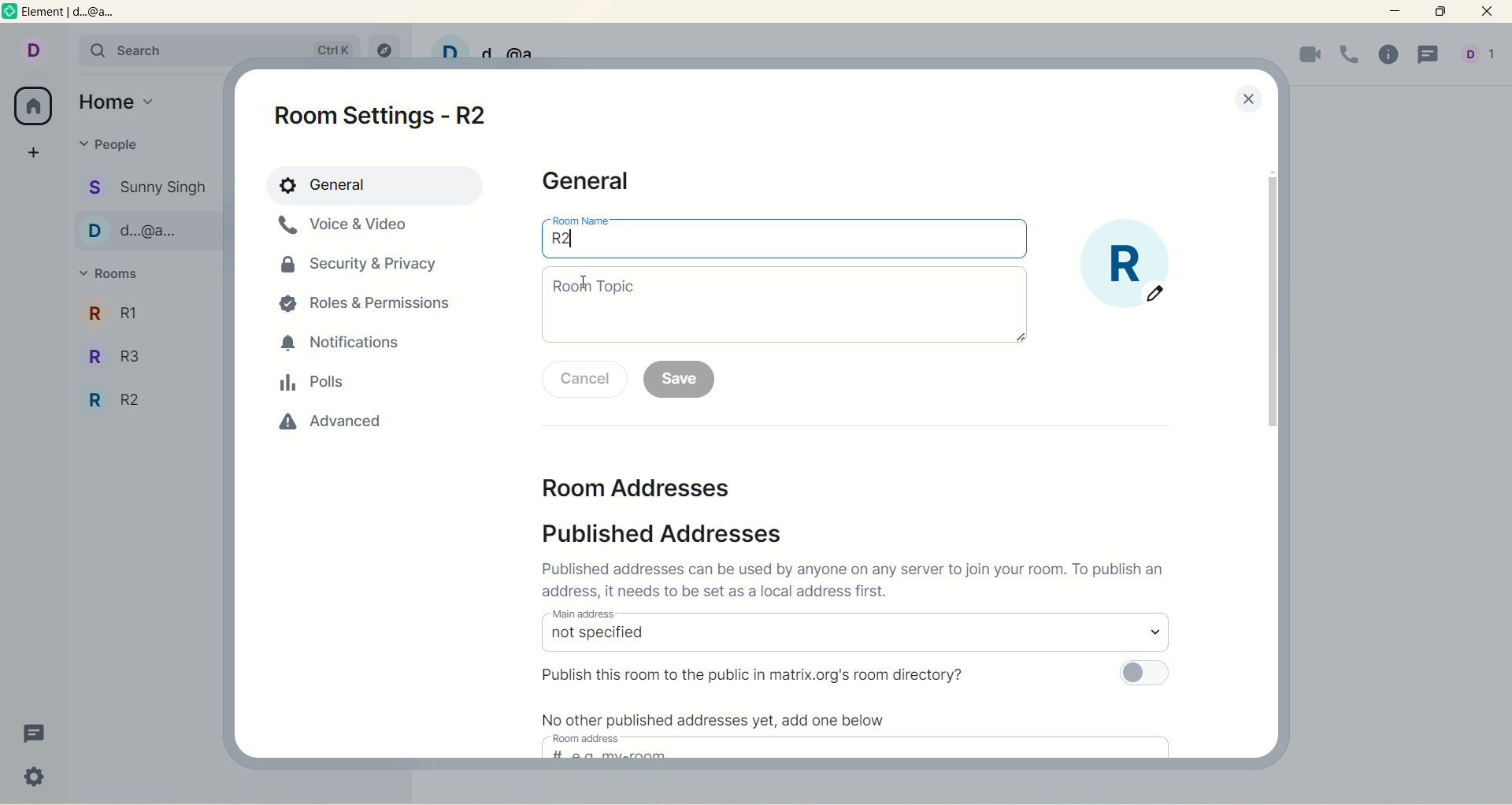  I want to click on minimize, so click(1398, 12).